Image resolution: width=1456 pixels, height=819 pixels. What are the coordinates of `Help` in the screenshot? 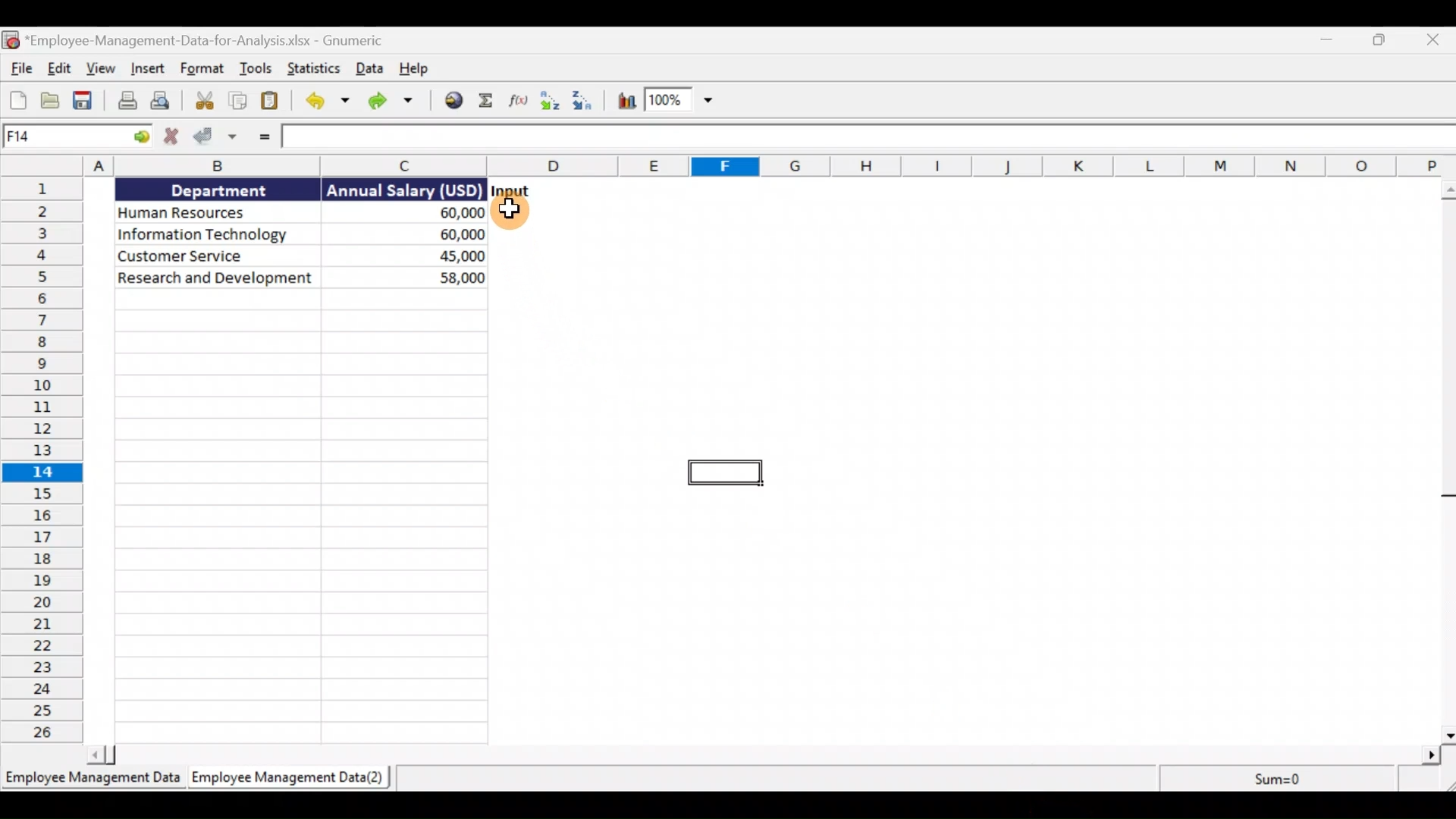 It's located at (418, 69).